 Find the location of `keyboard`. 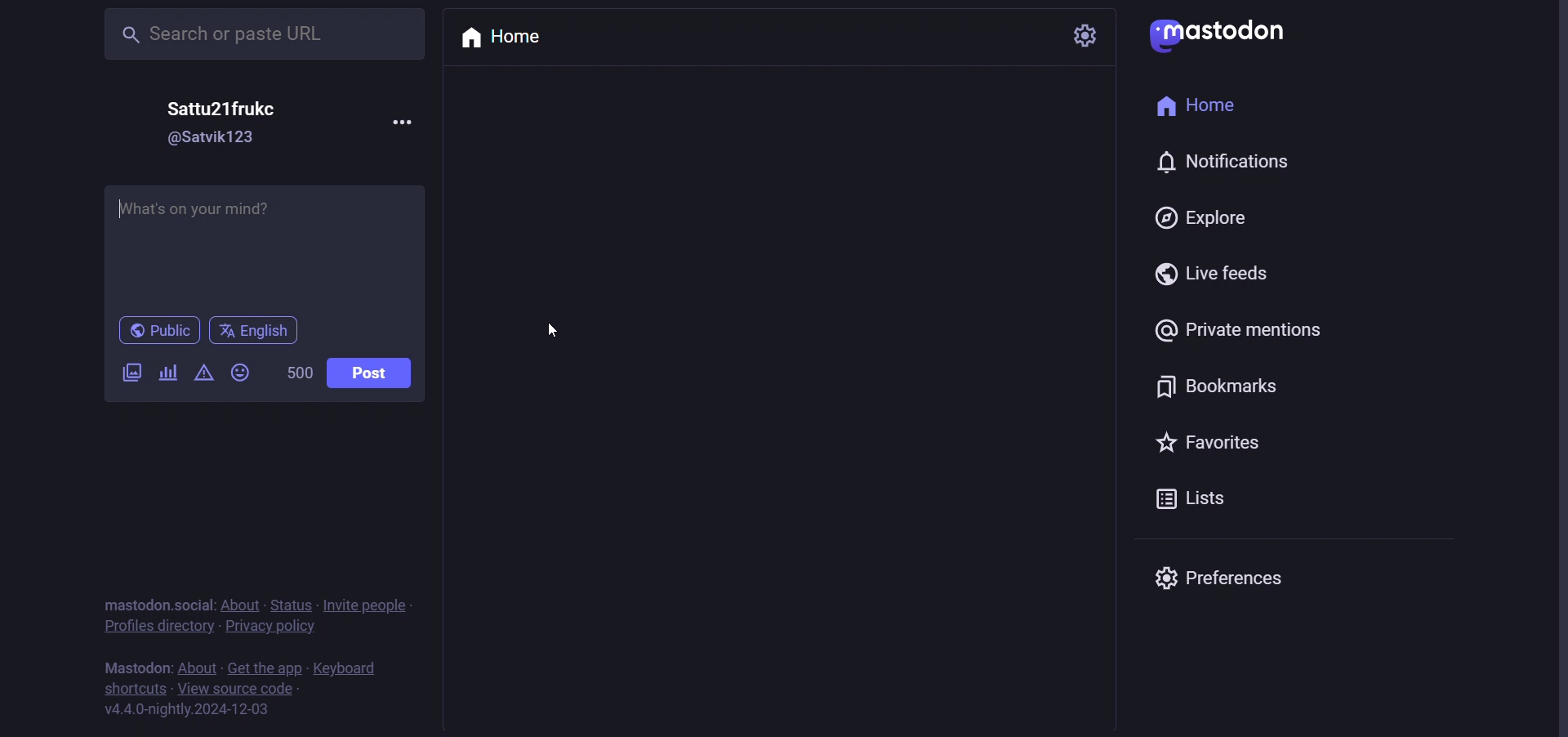

keyboard is located at coordinates (348, 666).